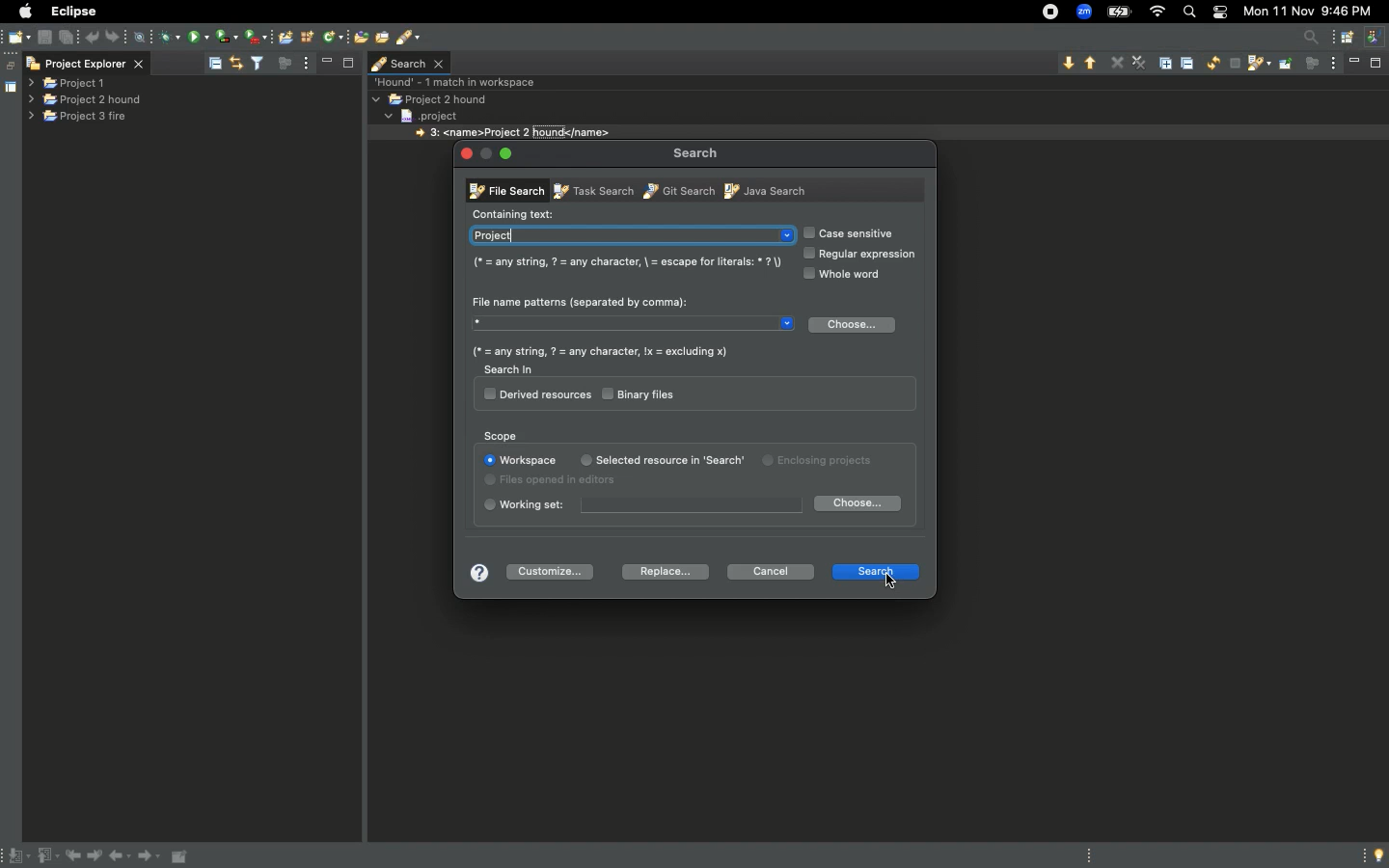 The height and width of the screenshot is (868, 1389). What do you see at coordinates (486, 156) in the screenshot?
I see `minimise` at bounding box center [486, 156].